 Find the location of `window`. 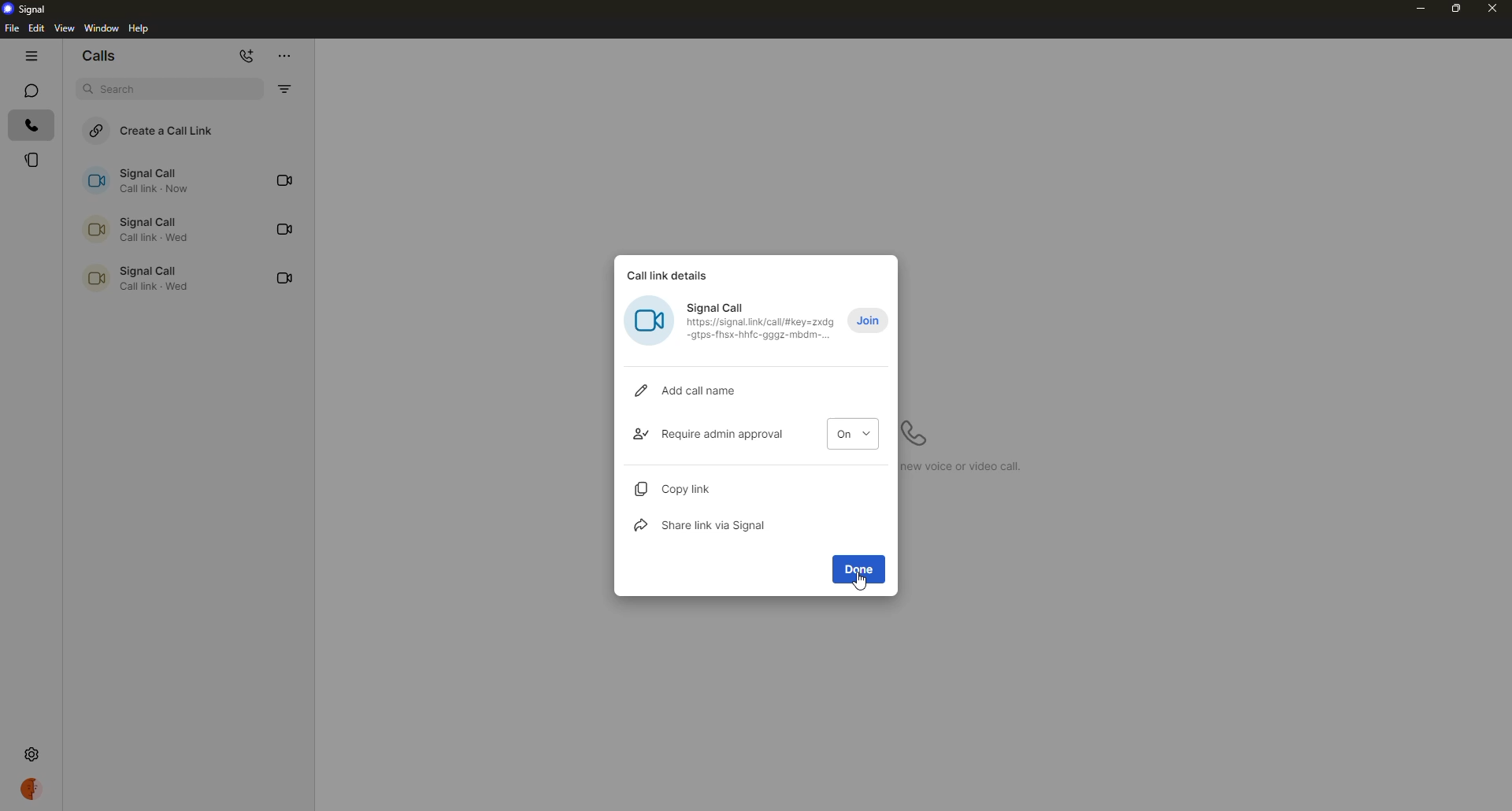

window is located at coordinates (102, 28).